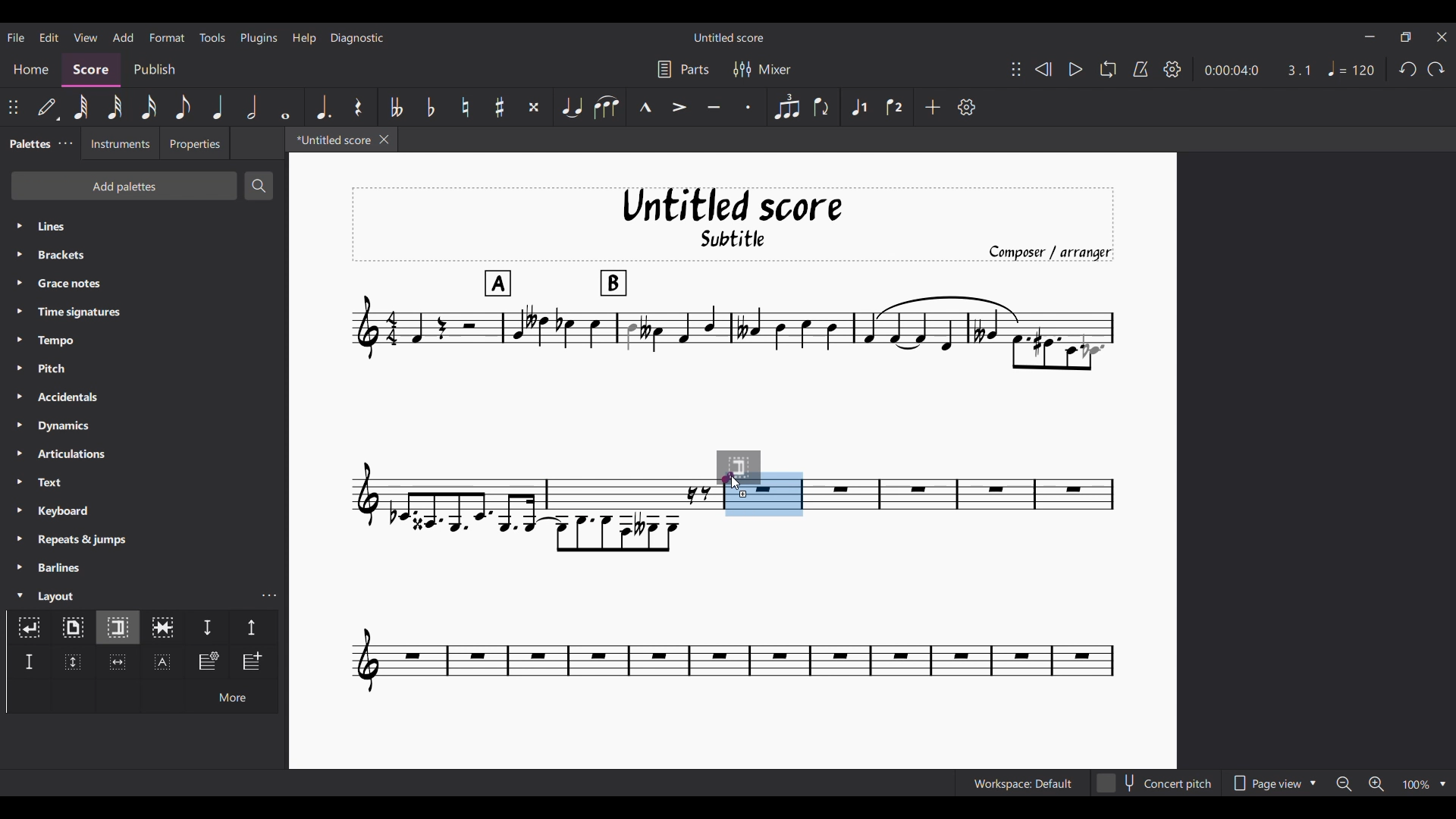  What do you see at coordinates (72, 628) in the screenshot?
I see `Page break` at bounding box center [72, 628].